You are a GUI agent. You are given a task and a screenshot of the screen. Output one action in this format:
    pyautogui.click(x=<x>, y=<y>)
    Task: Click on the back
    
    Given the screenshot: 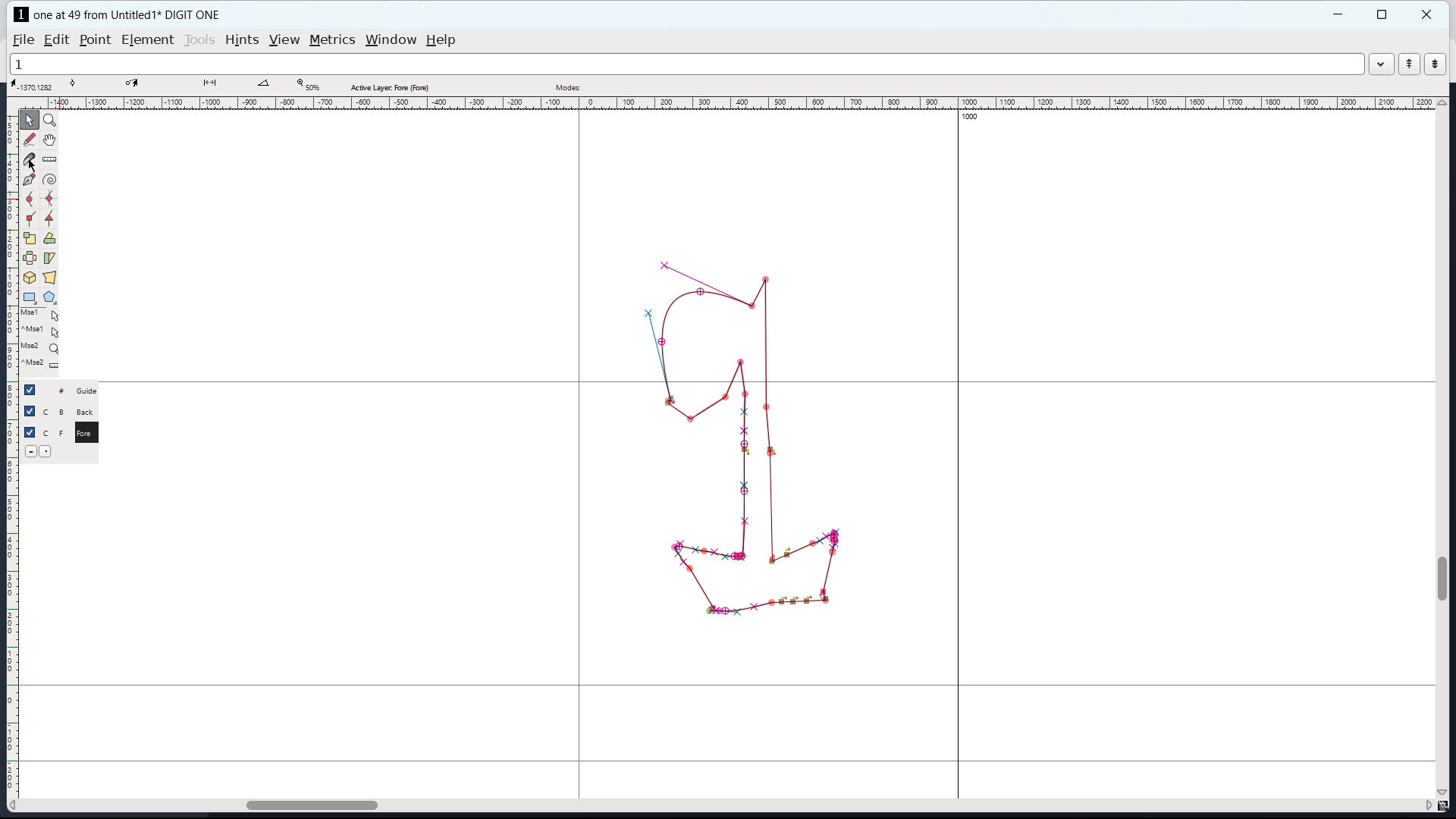 What is the action you would take?
    pyautogui.click(x=88, y=412)
    